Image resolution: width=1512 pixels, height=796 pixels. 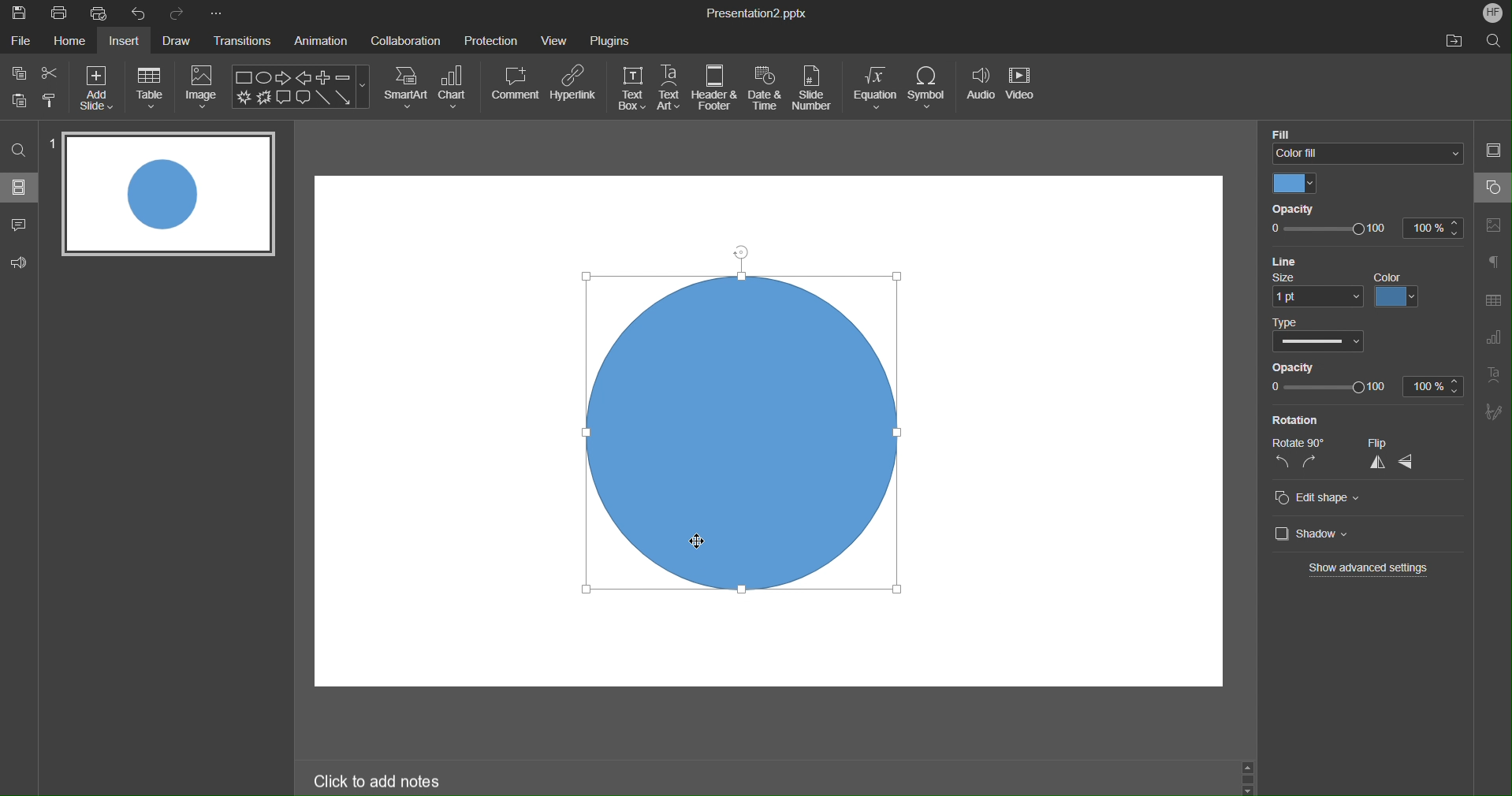 I want to click on workspace, so click(x=890, y=655).